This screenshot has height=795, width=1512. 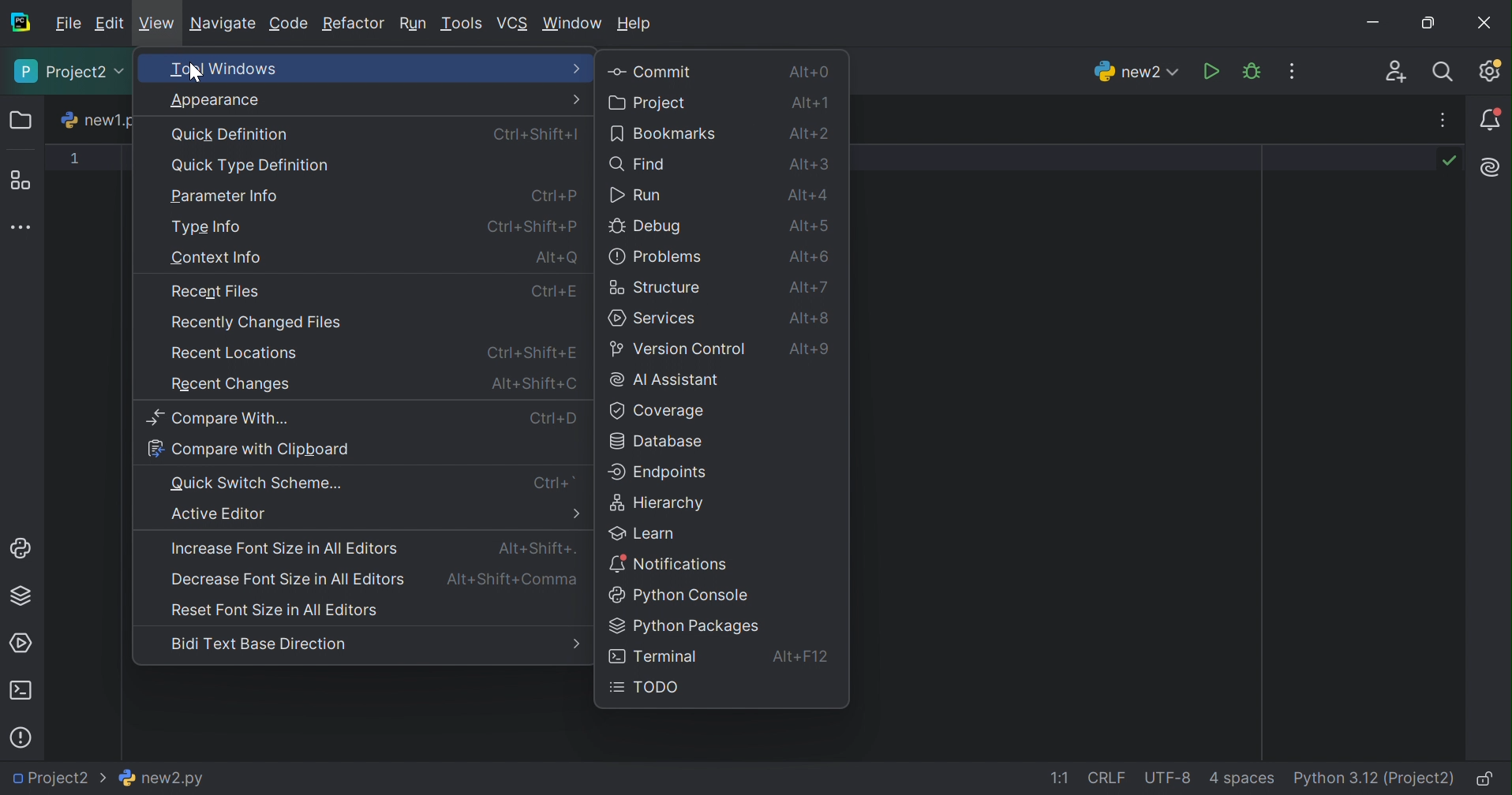 What do you see at coordinates (411, 21) in the screenshot?
I see `Run` at bounding box center [411, 21].